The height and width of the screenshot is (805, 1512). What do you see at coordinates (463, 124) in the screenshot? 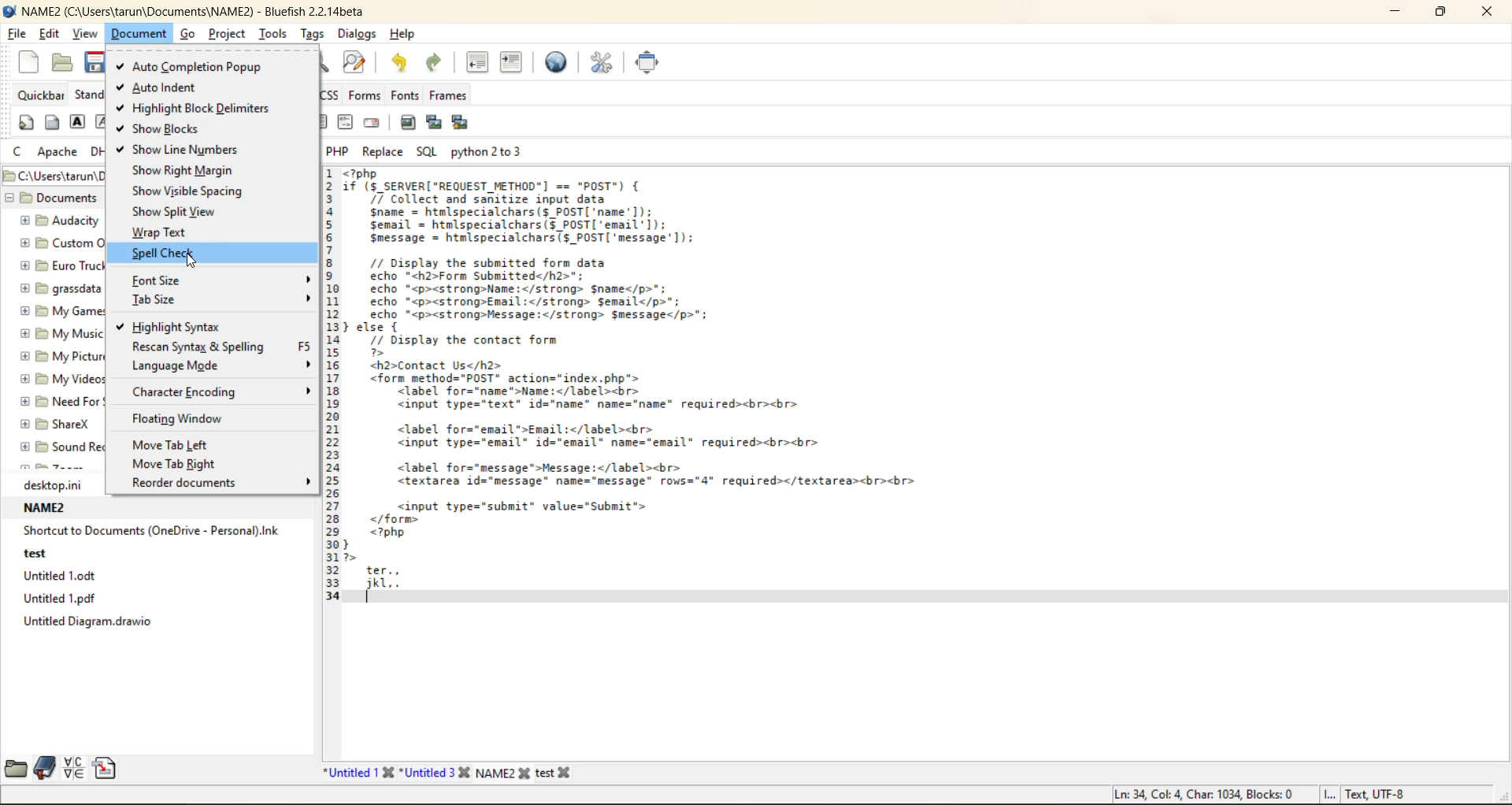
I see `insert thumbnail` at bounding box center [463, 124].